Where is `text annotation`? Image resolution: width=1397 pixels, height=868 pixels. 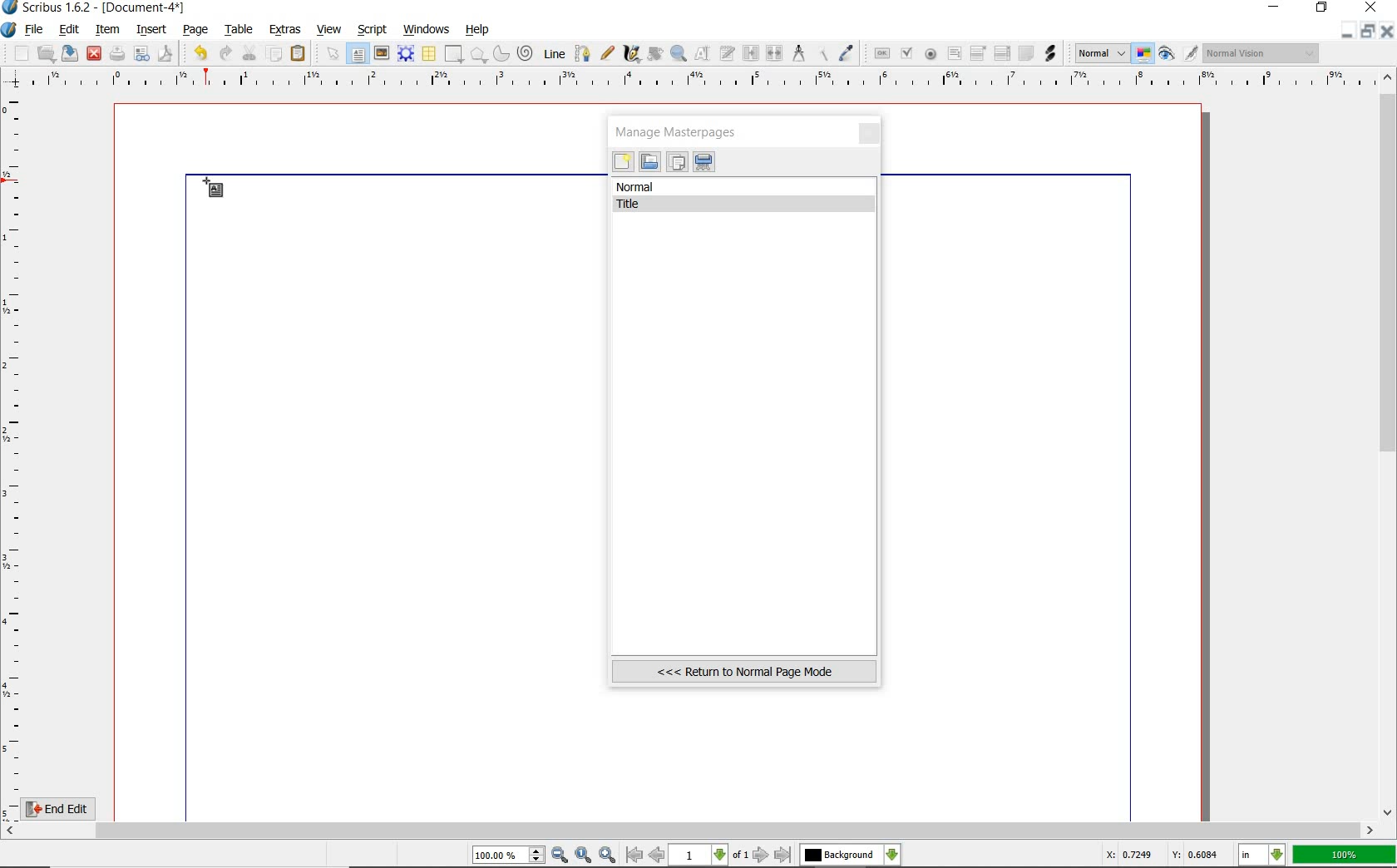 text annotation is located at coordinates (1025, 54).